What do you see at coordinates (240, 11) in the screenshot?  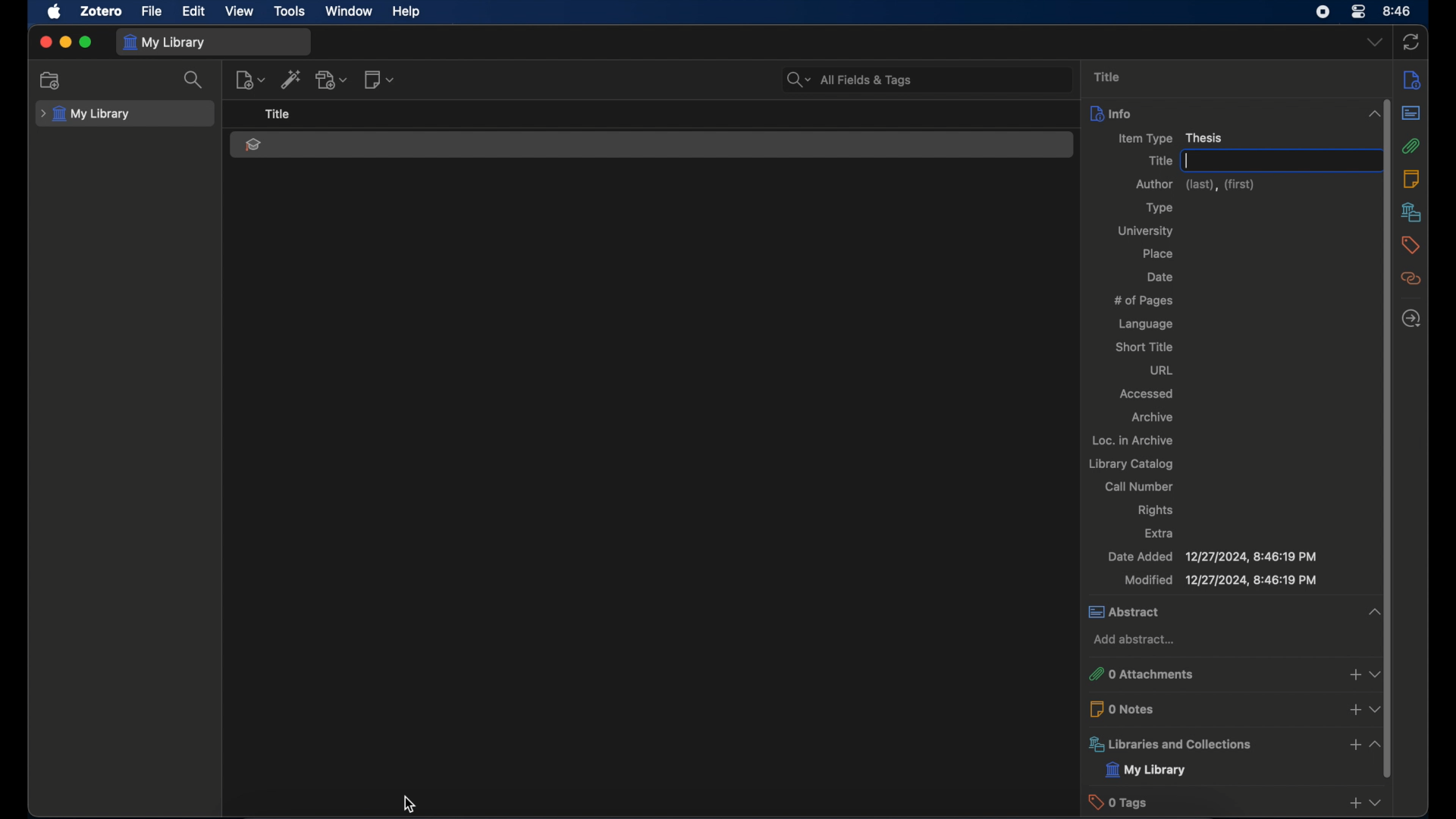 I see `view` at bounding box center [240, 11].